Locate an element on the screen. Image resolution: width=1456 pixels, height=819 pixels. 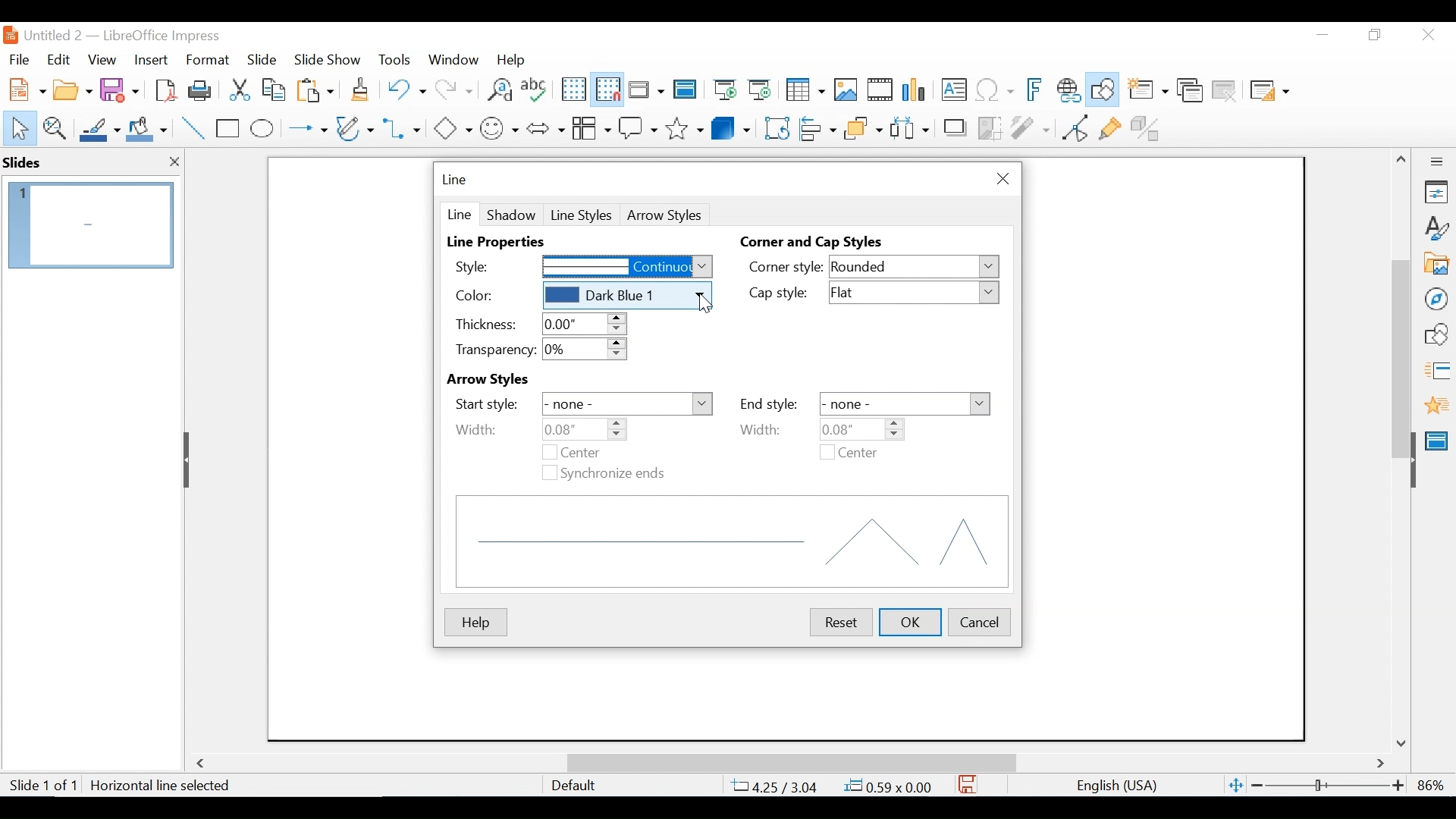
Insert Hyperlink is located at coordinates (1068, 90).